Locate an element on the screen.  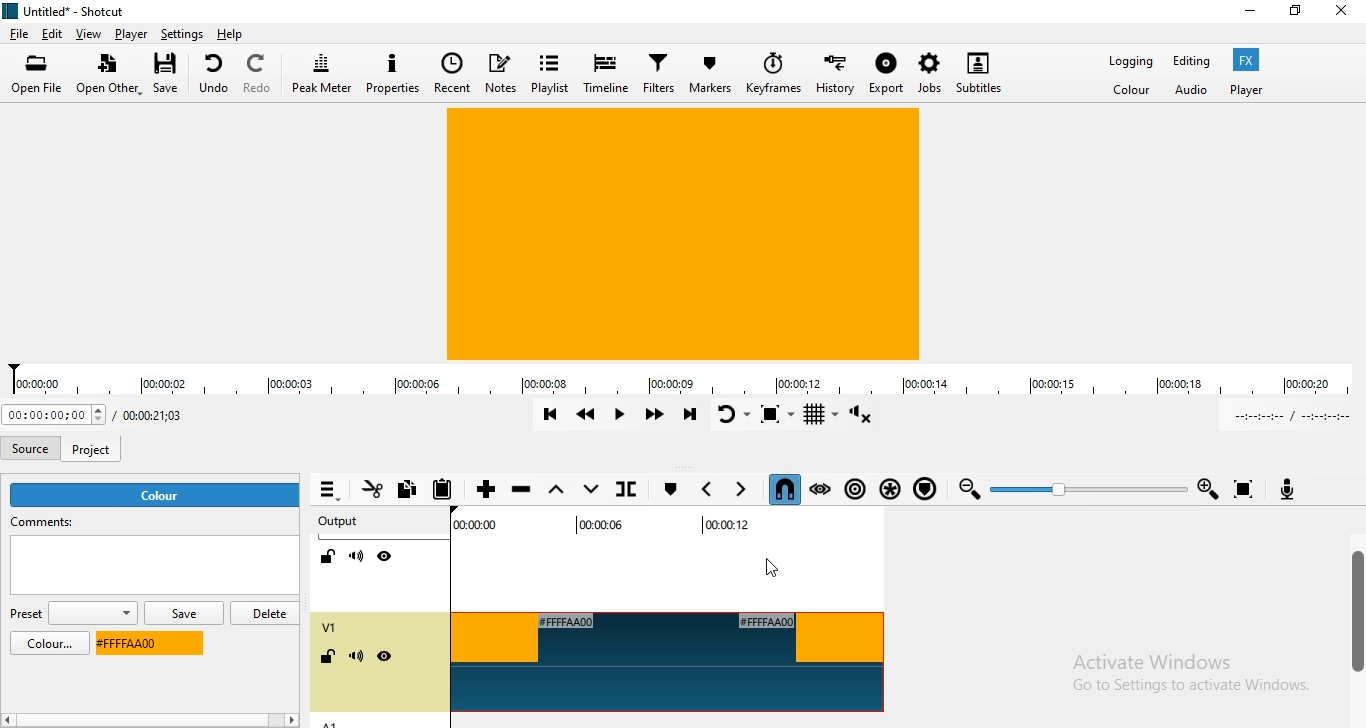
save is located at coordinates (183, 614).